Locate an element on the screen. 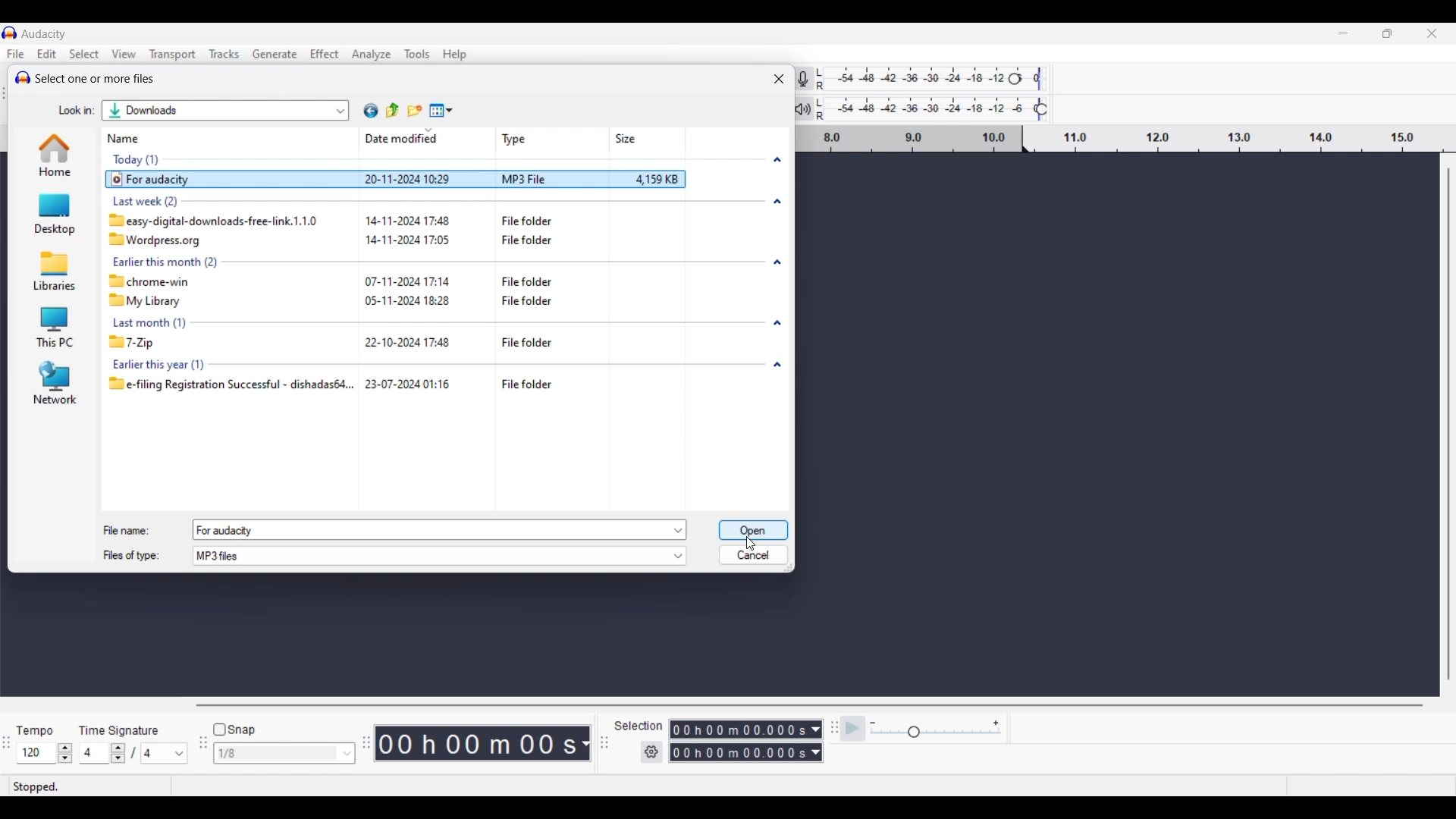  Network folder is located at coordinates (55, 381).